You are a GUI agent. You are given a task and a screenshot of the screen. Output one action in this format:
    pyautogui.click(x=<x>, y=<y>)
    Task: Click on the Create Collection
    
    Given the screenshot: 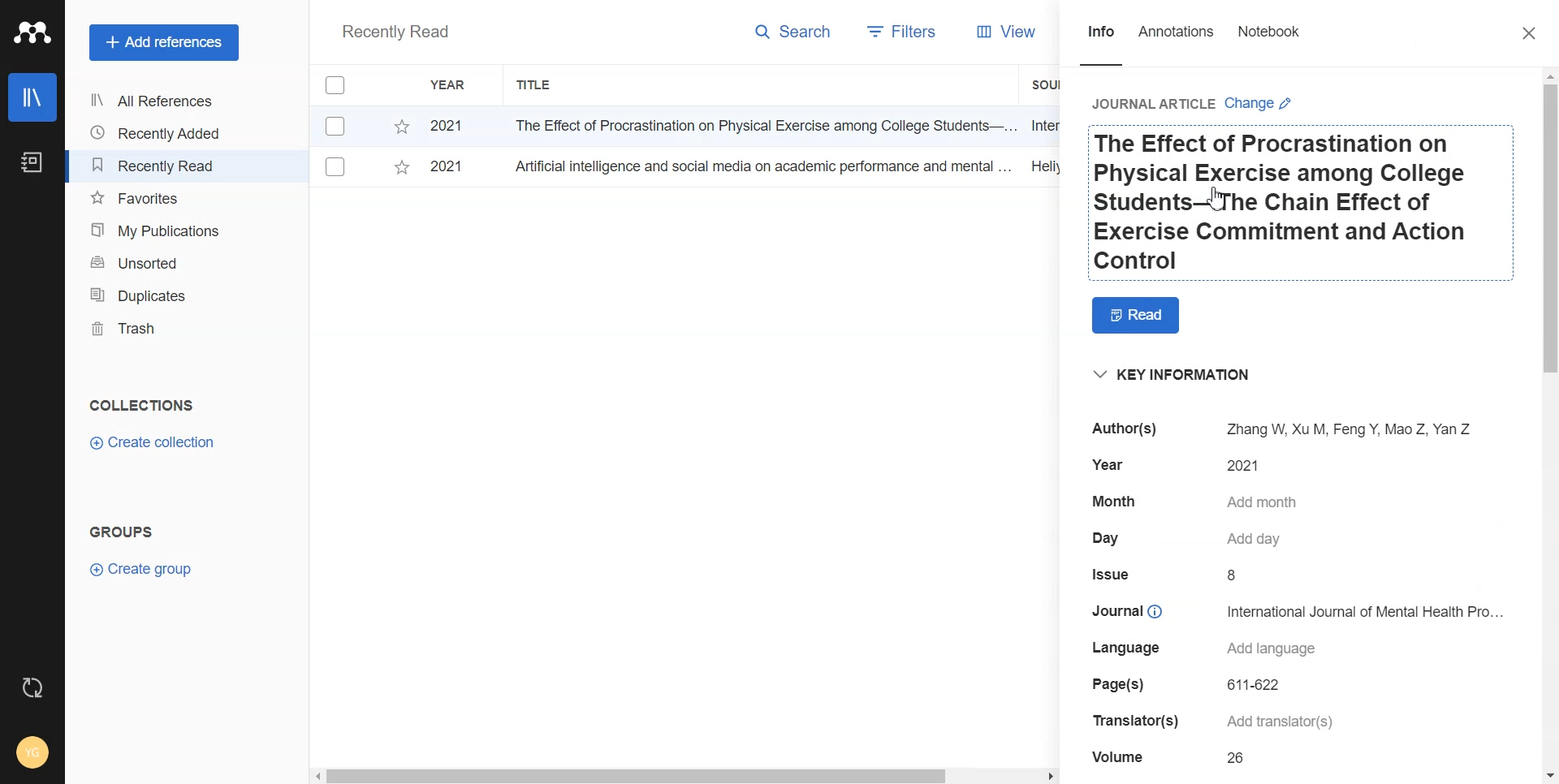 What is the action you would take?
    pyautogui.click(x=154, y=443)
    